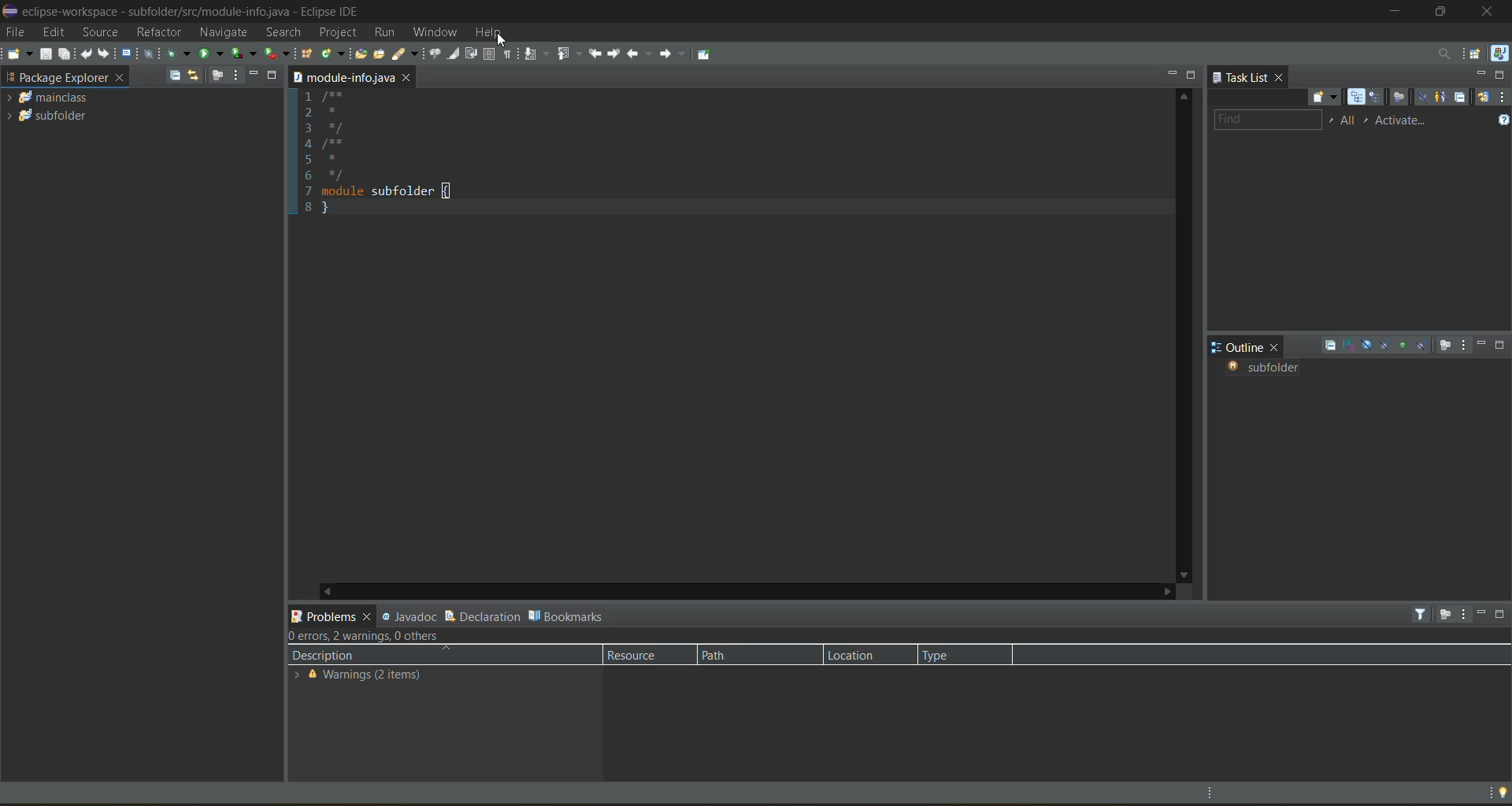 The height and width of the screenshot is (806, 1512). What do you see at coordinates (236, 76) in the screenshot?
I see `view menu` at bounding box center [236, 76].